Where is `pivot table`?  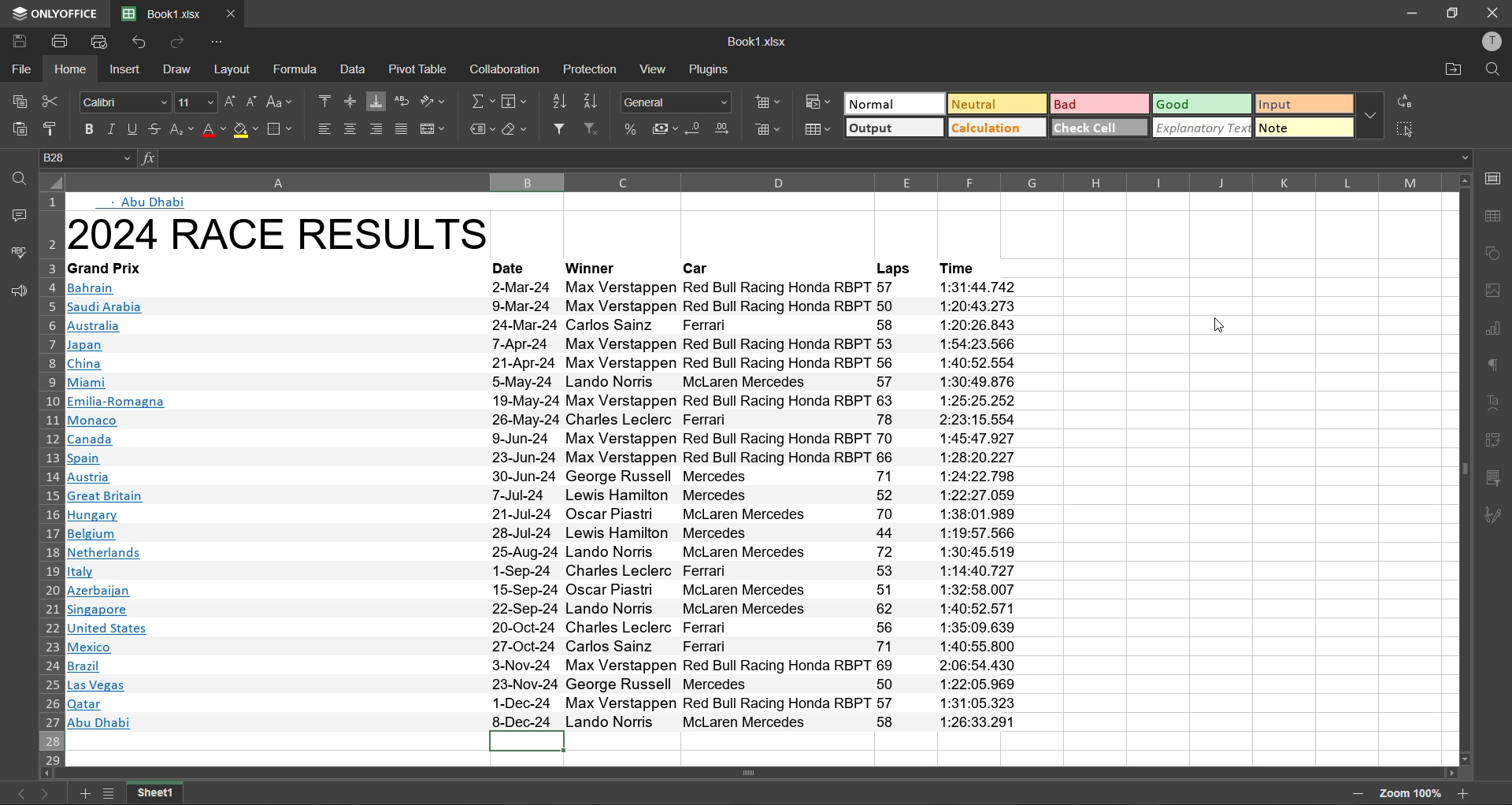 pivot table is located at coordinates (1498, 442).